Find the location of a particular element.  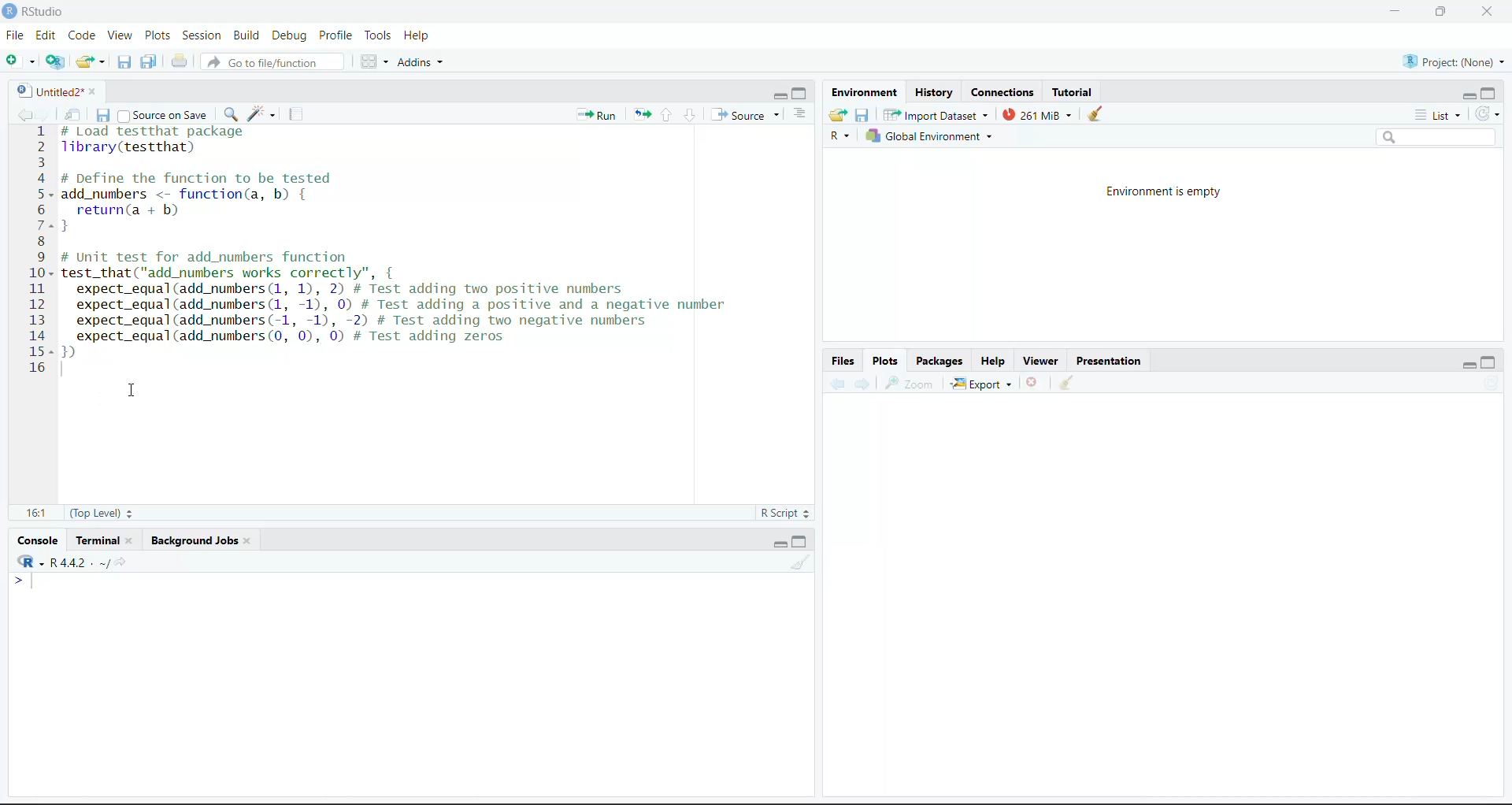

Help is located at coordinates (989, 361).